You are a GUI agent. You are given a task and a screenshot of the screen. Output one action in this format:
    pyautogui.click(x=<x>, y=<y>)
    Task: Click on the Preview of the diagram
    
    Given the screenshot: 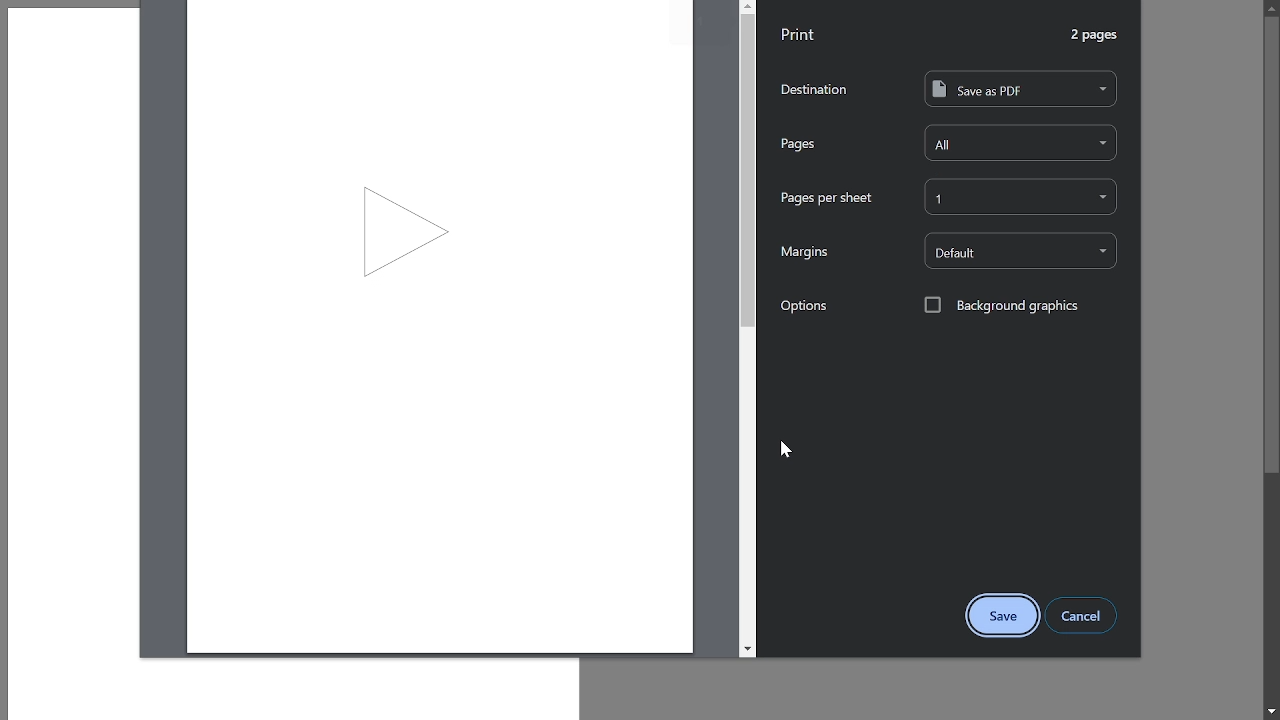 What is the action you would take?
    pyautogui.click(x=441, y=327)
    